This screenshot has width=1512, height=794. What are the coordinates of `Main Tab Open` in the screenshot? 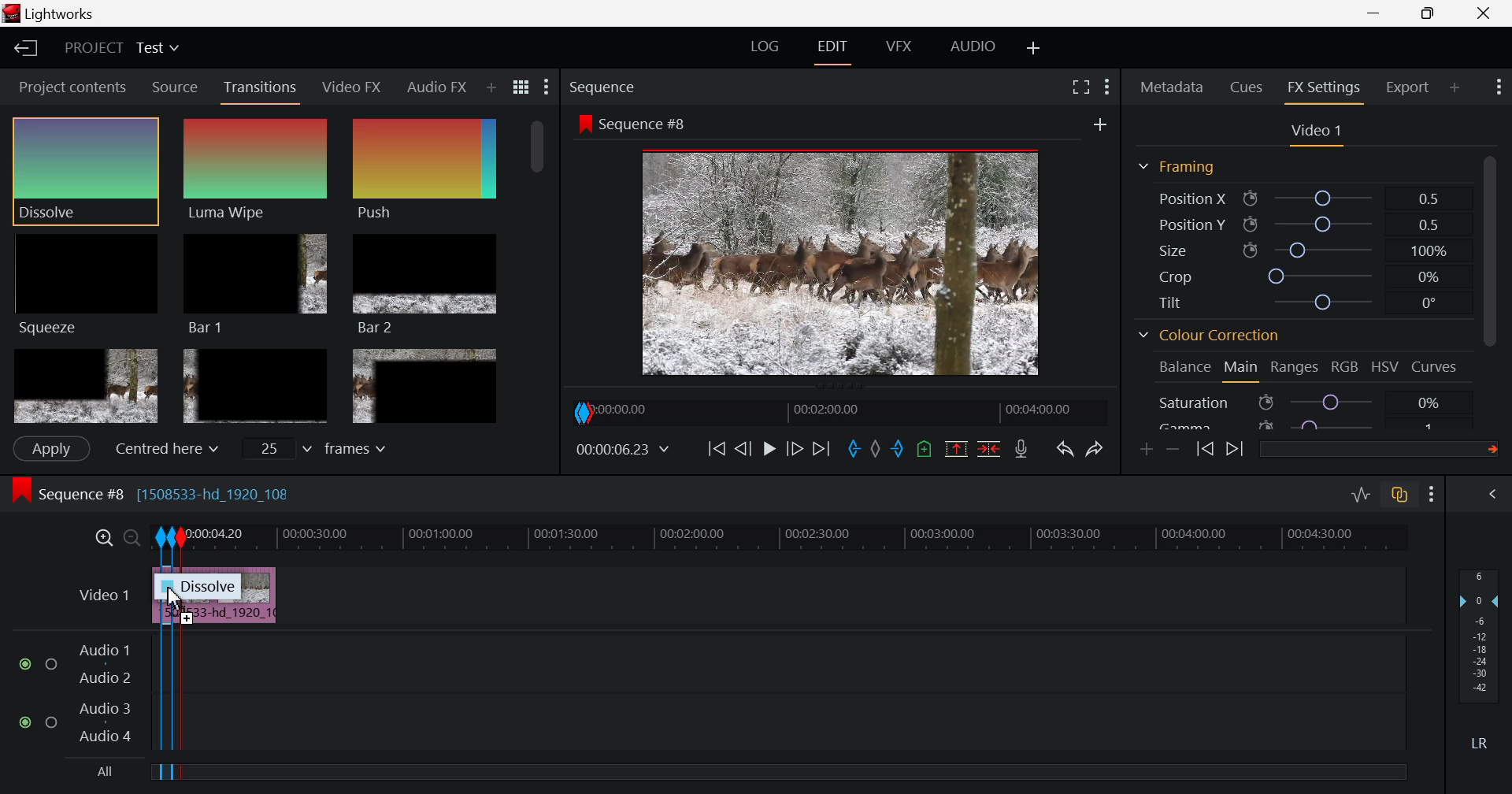 It's located at (1242, 369).